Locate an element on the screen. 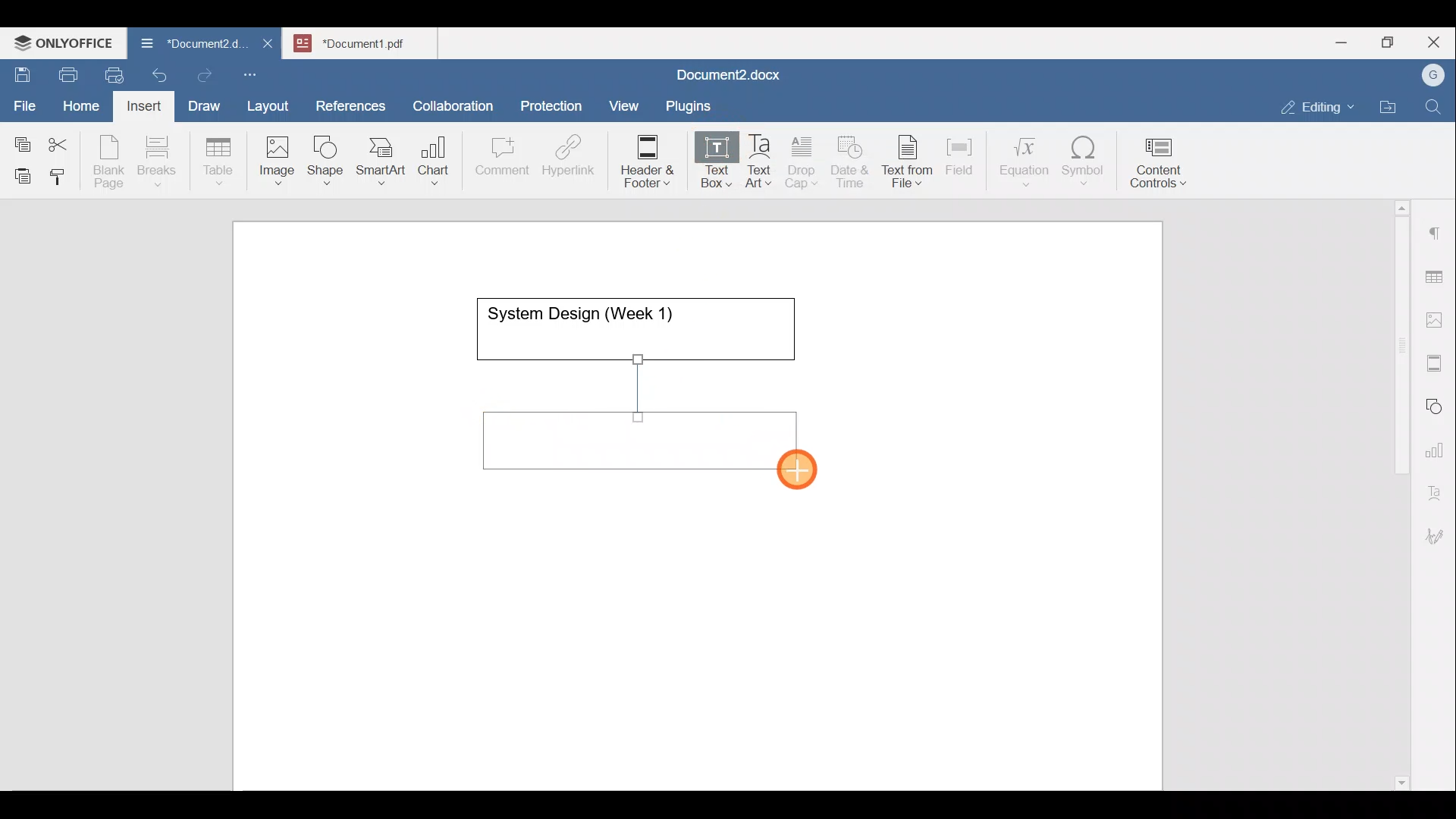  Text Art is located at coordinates (760, 162).